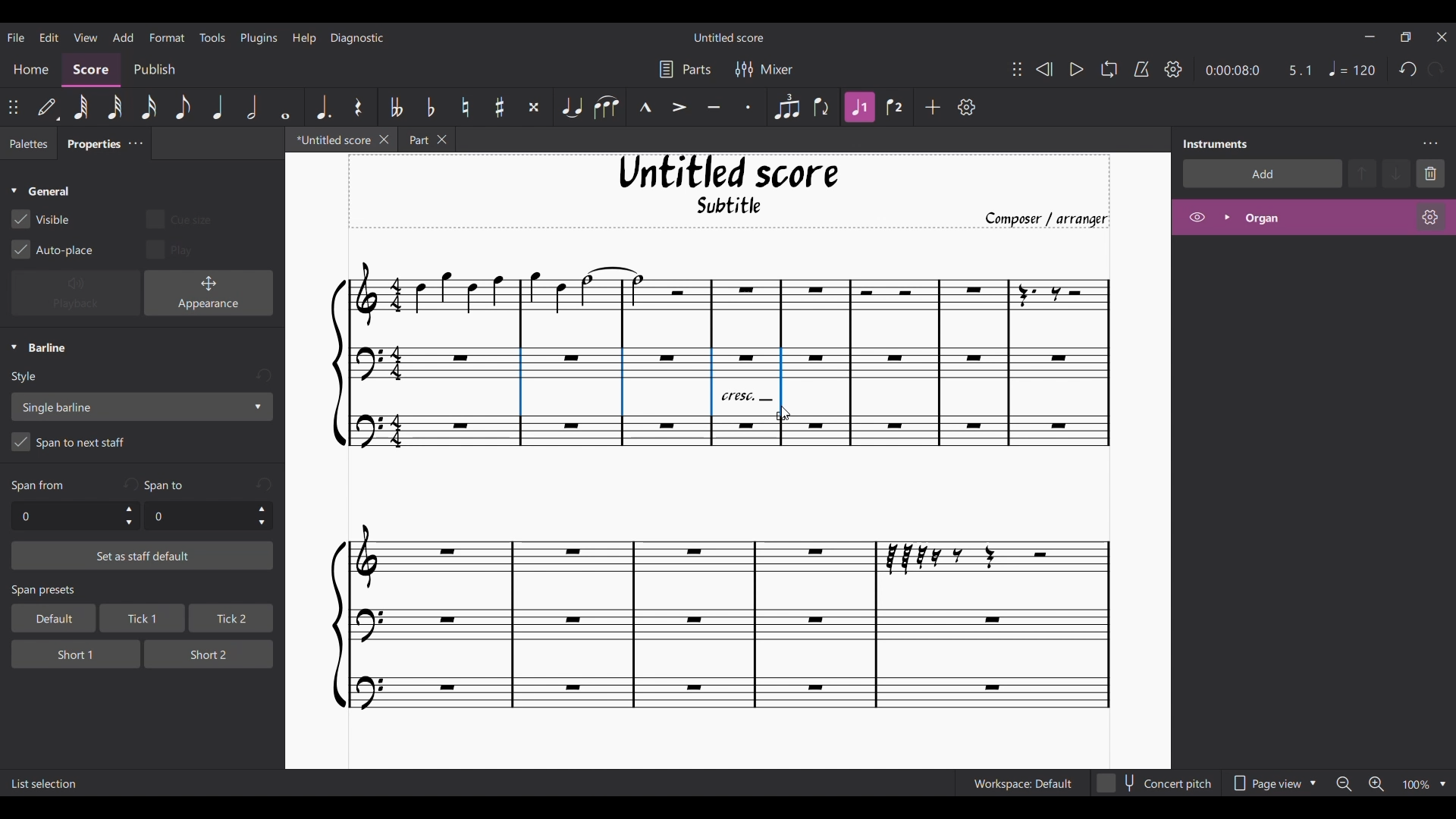  Describe the element at coordinates (571, 107) in the screenshot. I see `Tie` at that location.